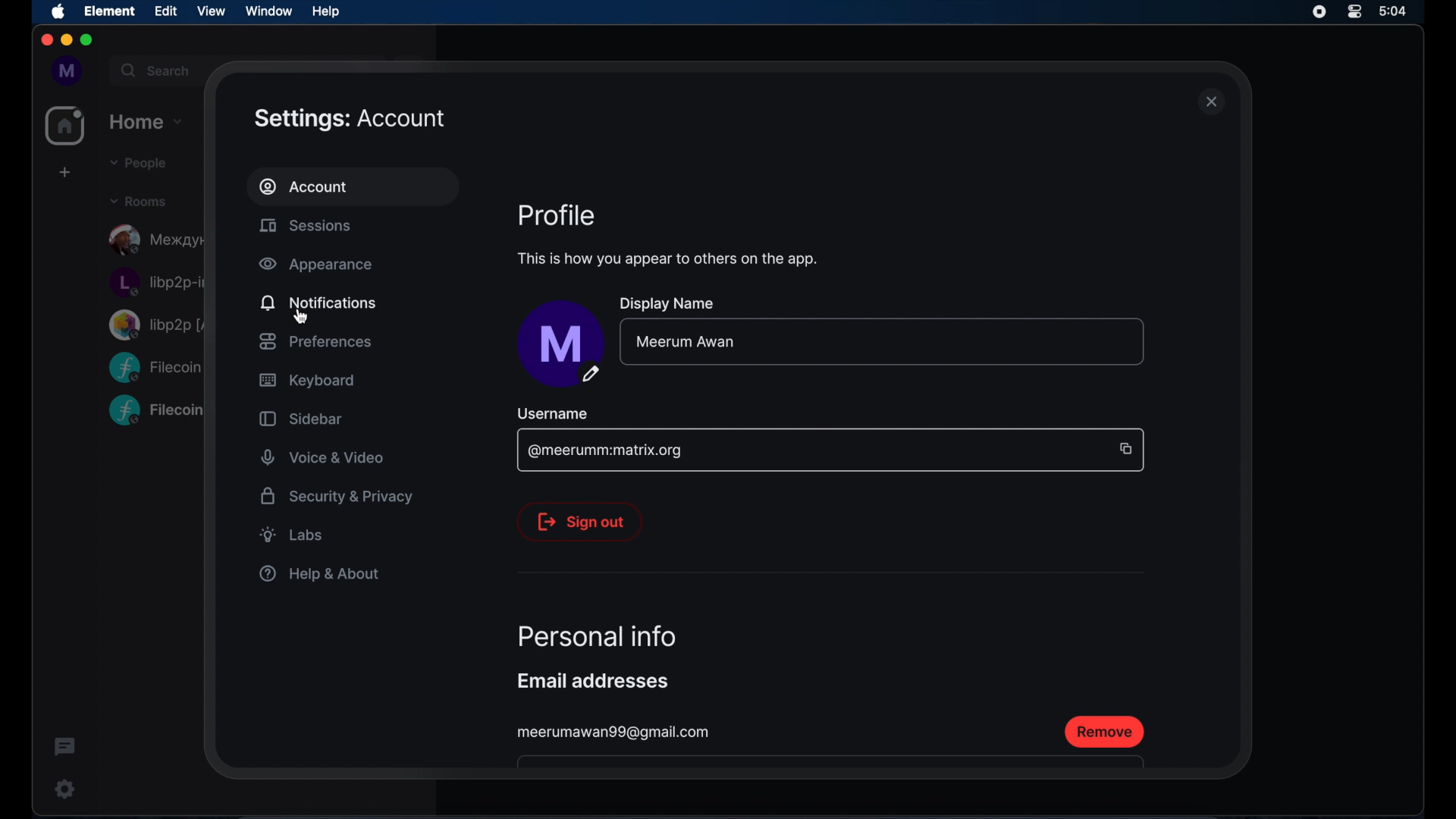 This screenshot has height=819, width=1456. What do you see at coordinates (304, 187) in the screenshot?
I see `account` at bounding box center [304, 187].